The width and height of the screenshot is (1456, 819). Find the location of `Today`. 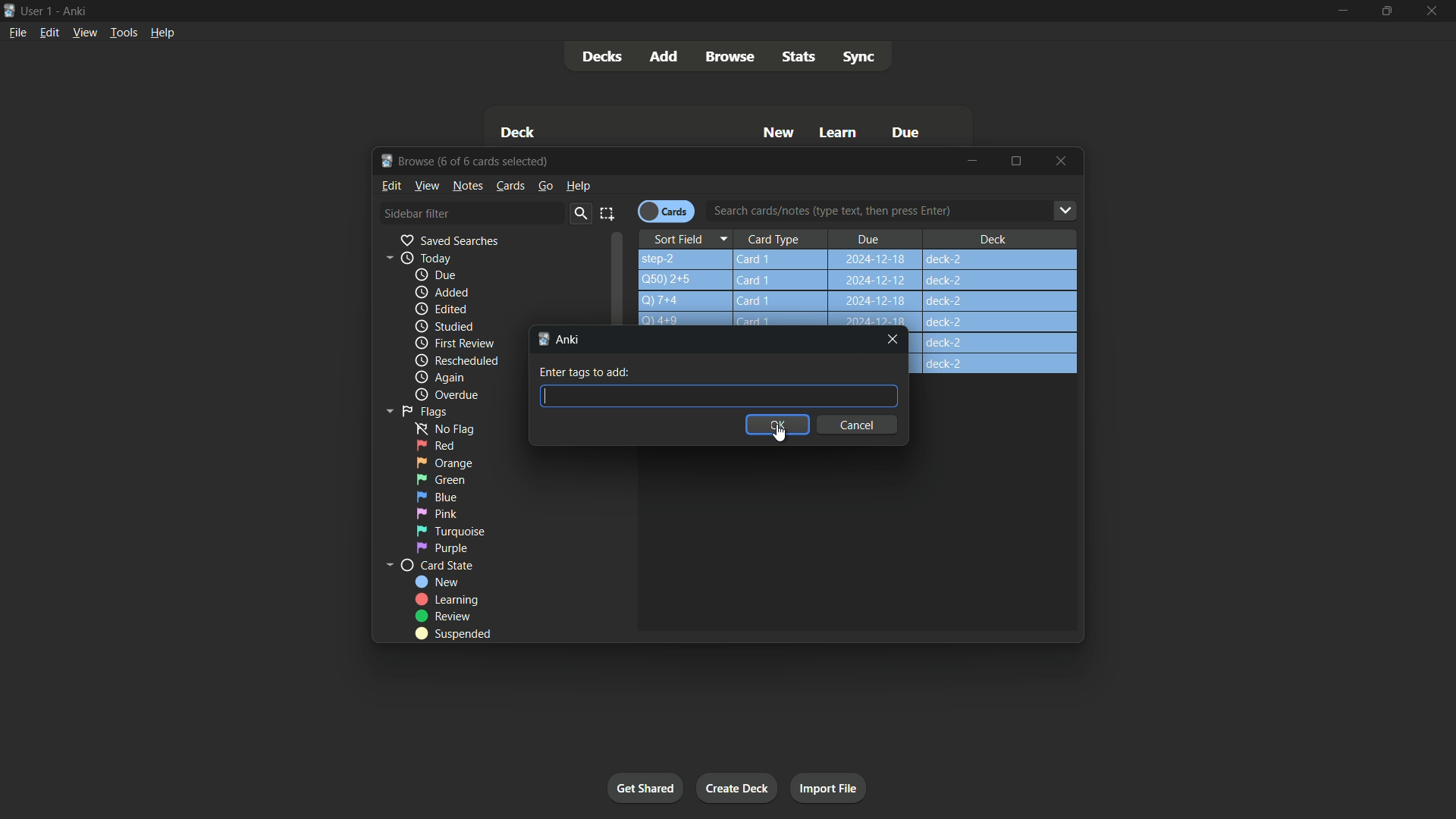

Today is located at coordinates (414, 258).